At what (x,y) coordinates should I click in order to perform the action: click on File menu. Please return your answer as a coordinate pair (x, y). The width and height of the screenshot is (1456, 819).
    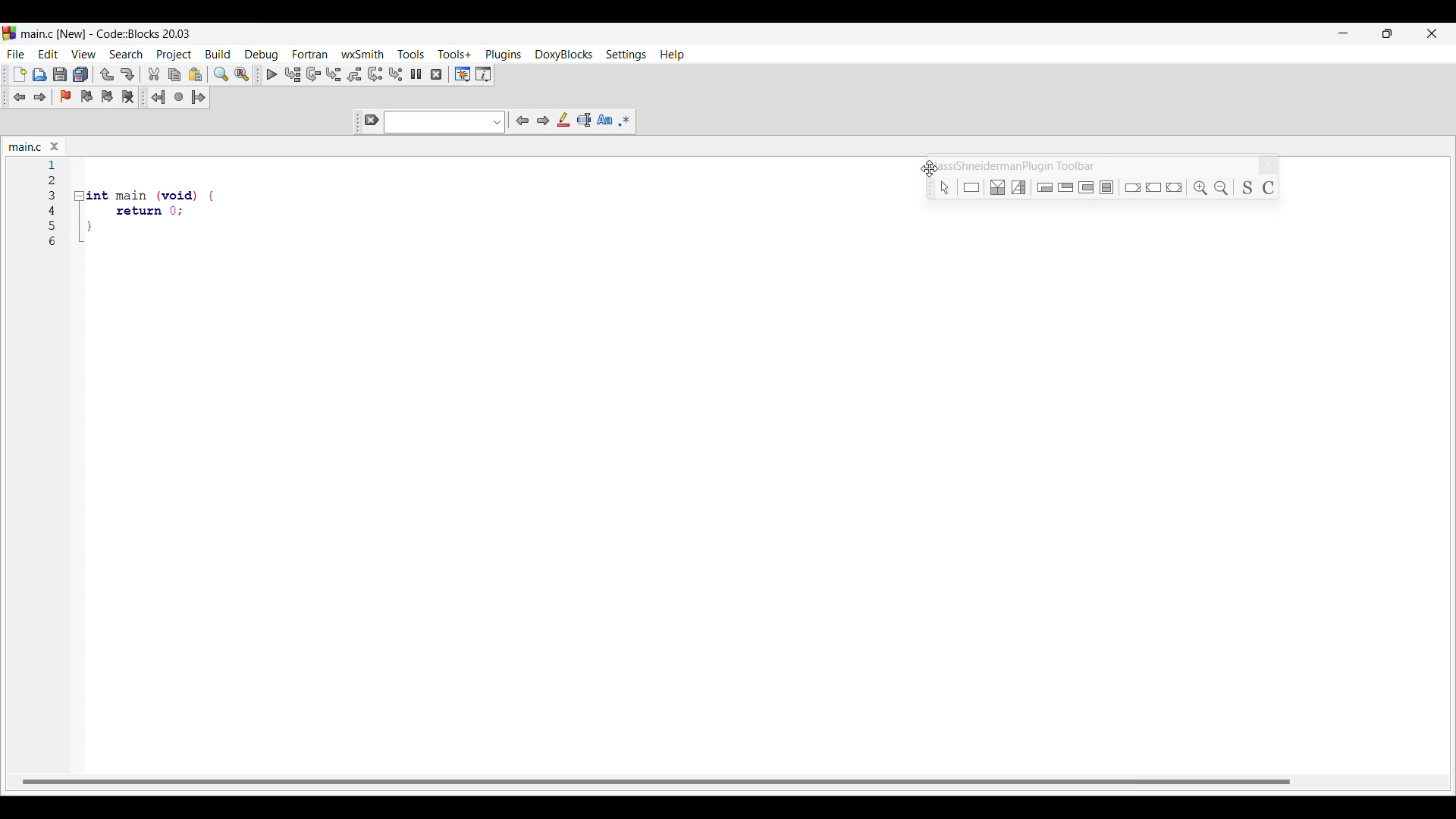
    Looking at the image, I should click on (16, 55).